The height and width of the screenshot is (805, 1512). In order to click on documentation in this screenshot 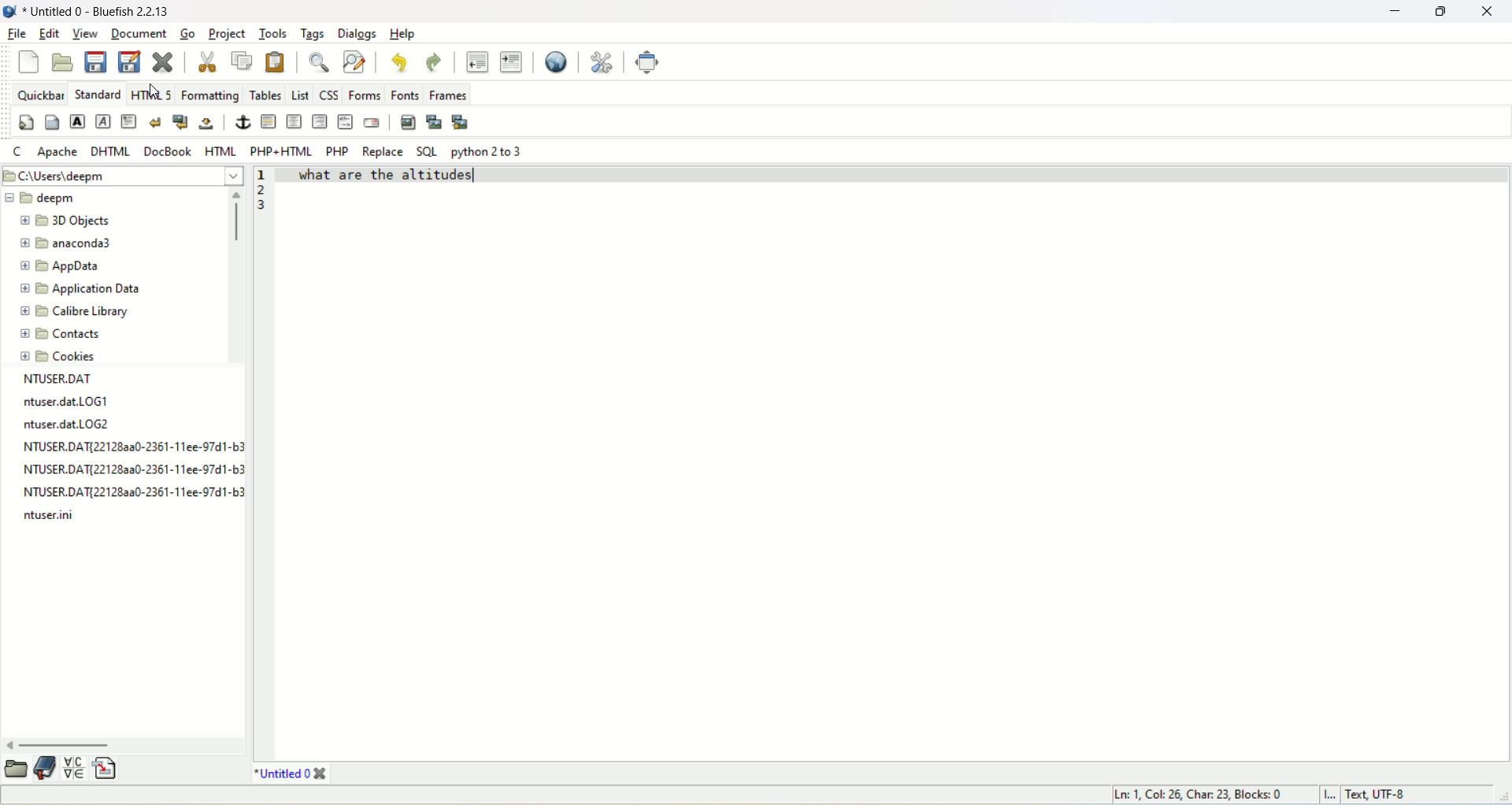, I will do `click(45, 767)`.